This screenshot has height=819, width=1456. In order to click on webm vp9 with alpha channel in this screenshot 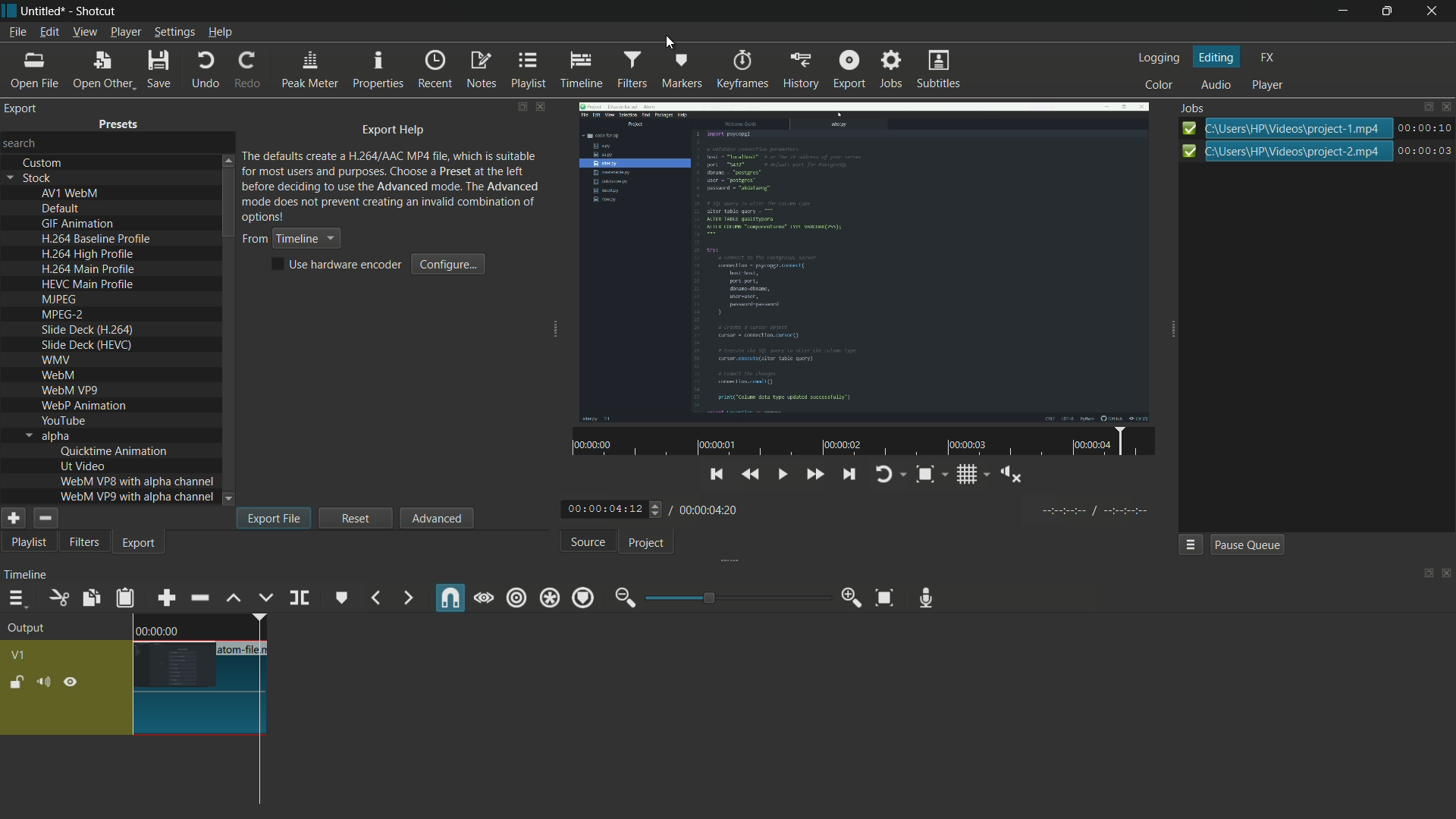, I will do `click(137, 497)`.